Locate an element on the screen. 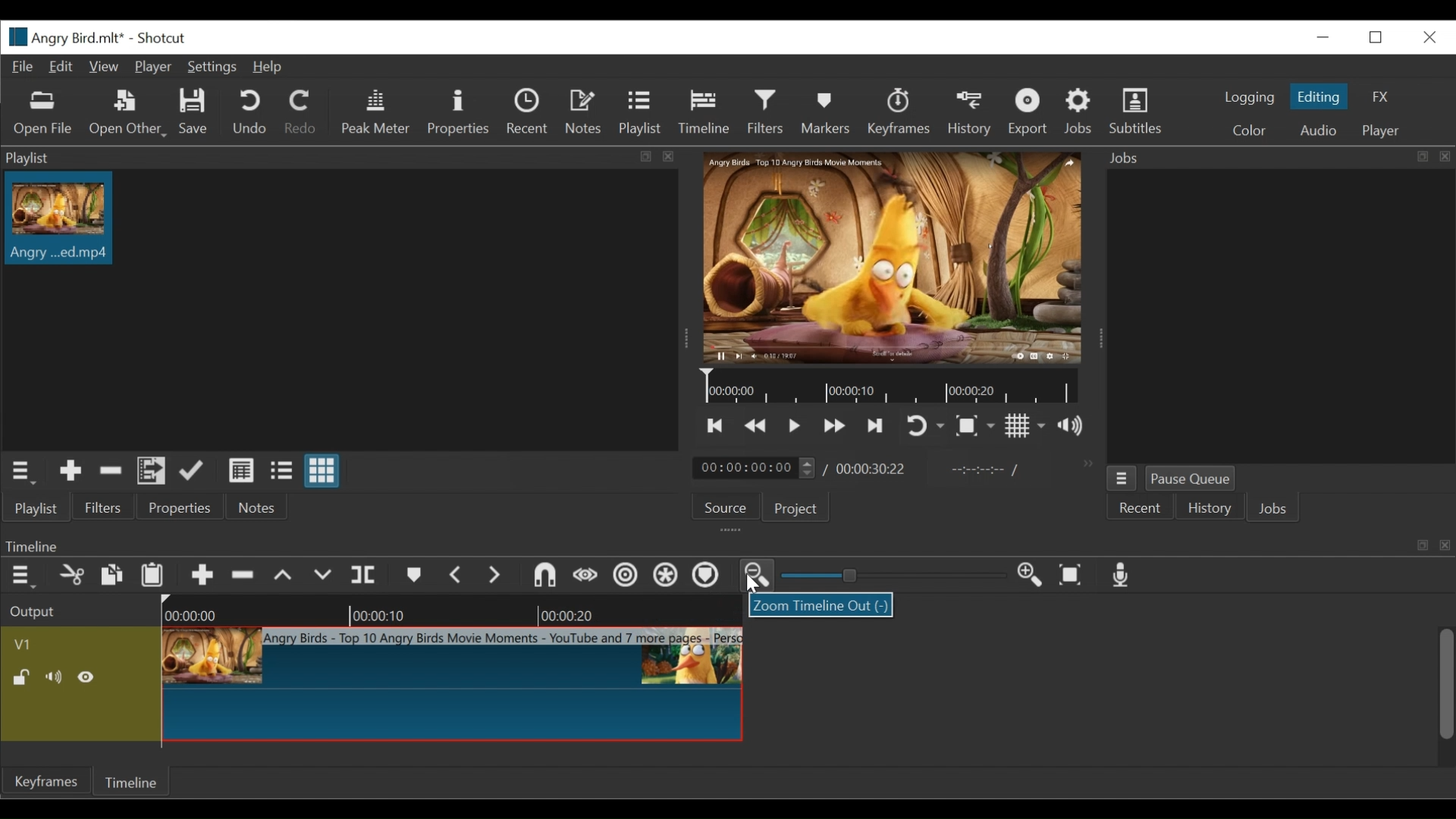 The image size is (1456, 819). (un)lock track is located at coordinates (22, 678).